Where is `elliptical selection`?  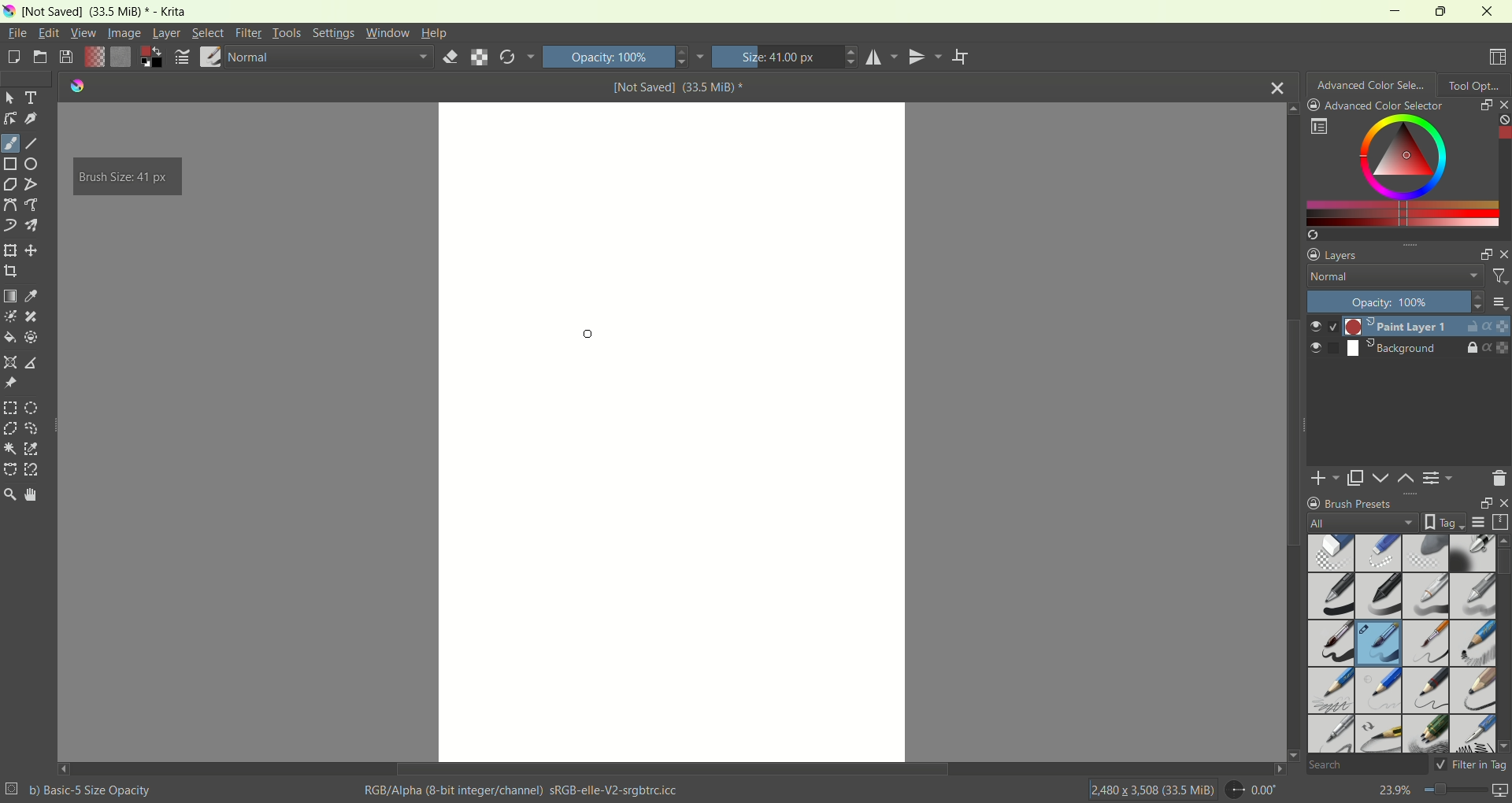 elliptical selection is located at coordinates (31, 409).